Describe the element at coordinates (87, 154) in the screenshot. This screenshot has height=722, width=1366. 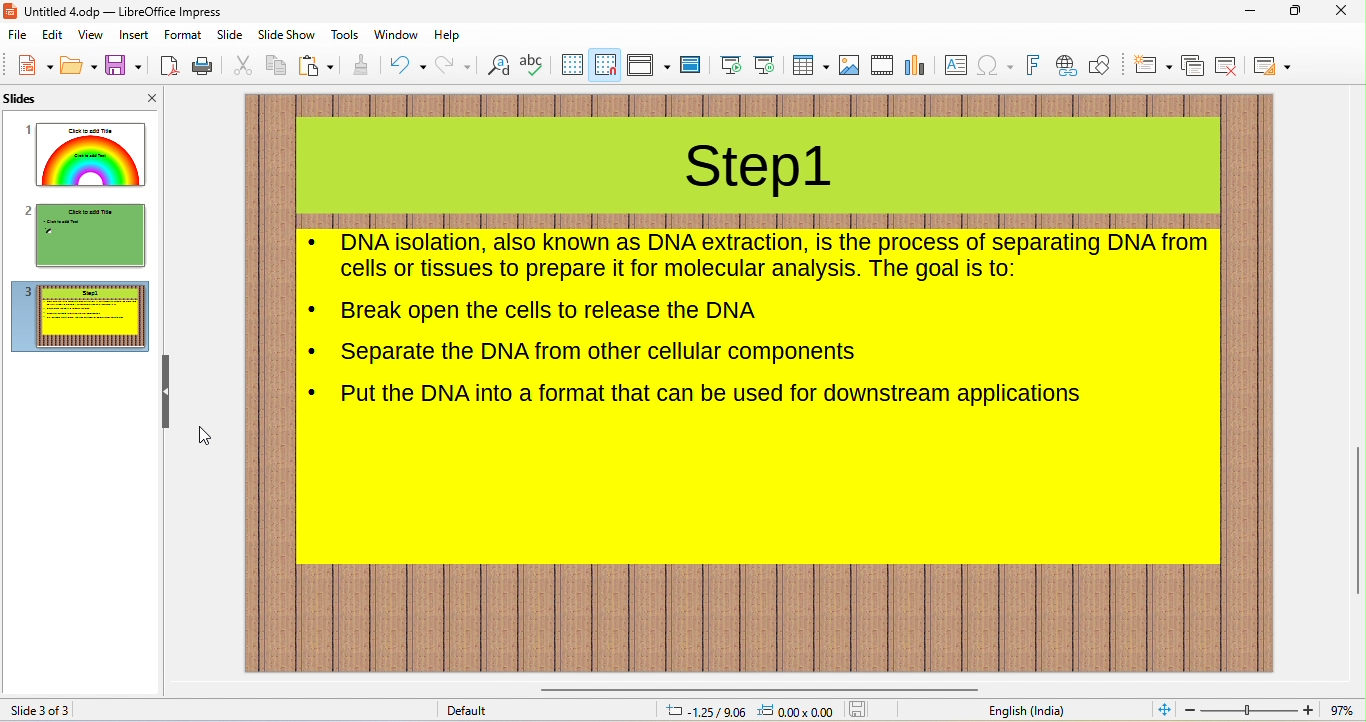
I see `slide1` at that location.